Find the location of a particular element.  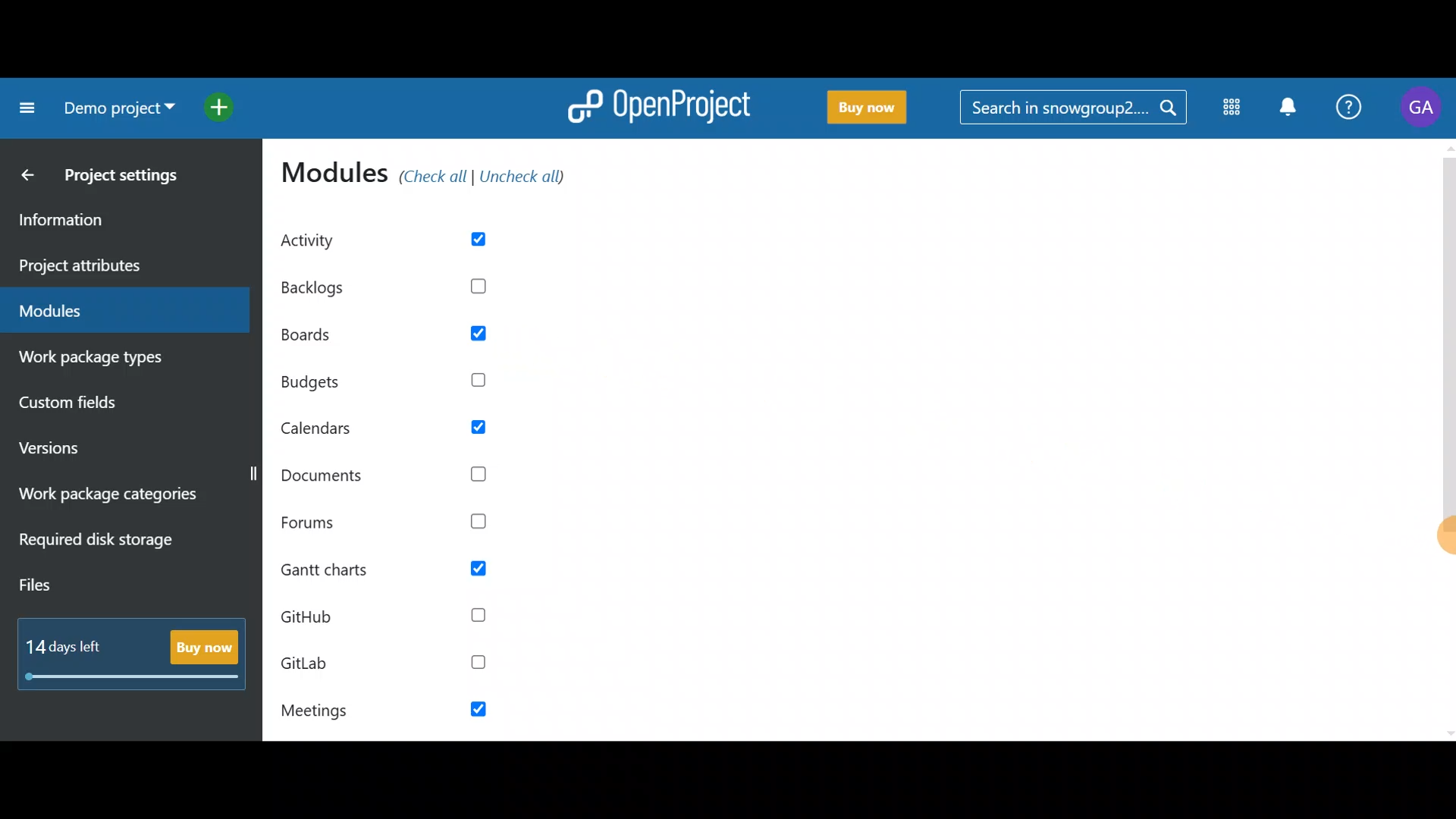

Gantt charts is located at coordinates (394, 570).